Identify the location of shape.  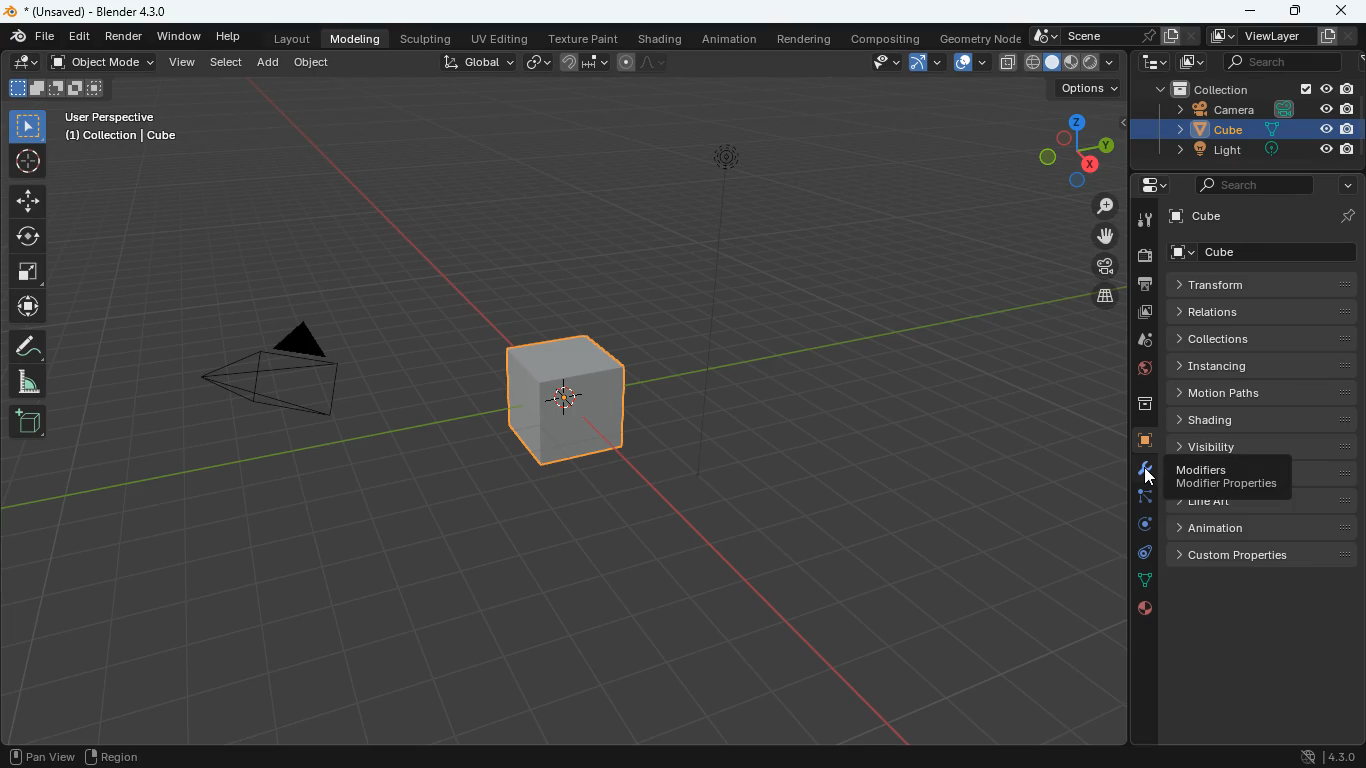
(56, 88).